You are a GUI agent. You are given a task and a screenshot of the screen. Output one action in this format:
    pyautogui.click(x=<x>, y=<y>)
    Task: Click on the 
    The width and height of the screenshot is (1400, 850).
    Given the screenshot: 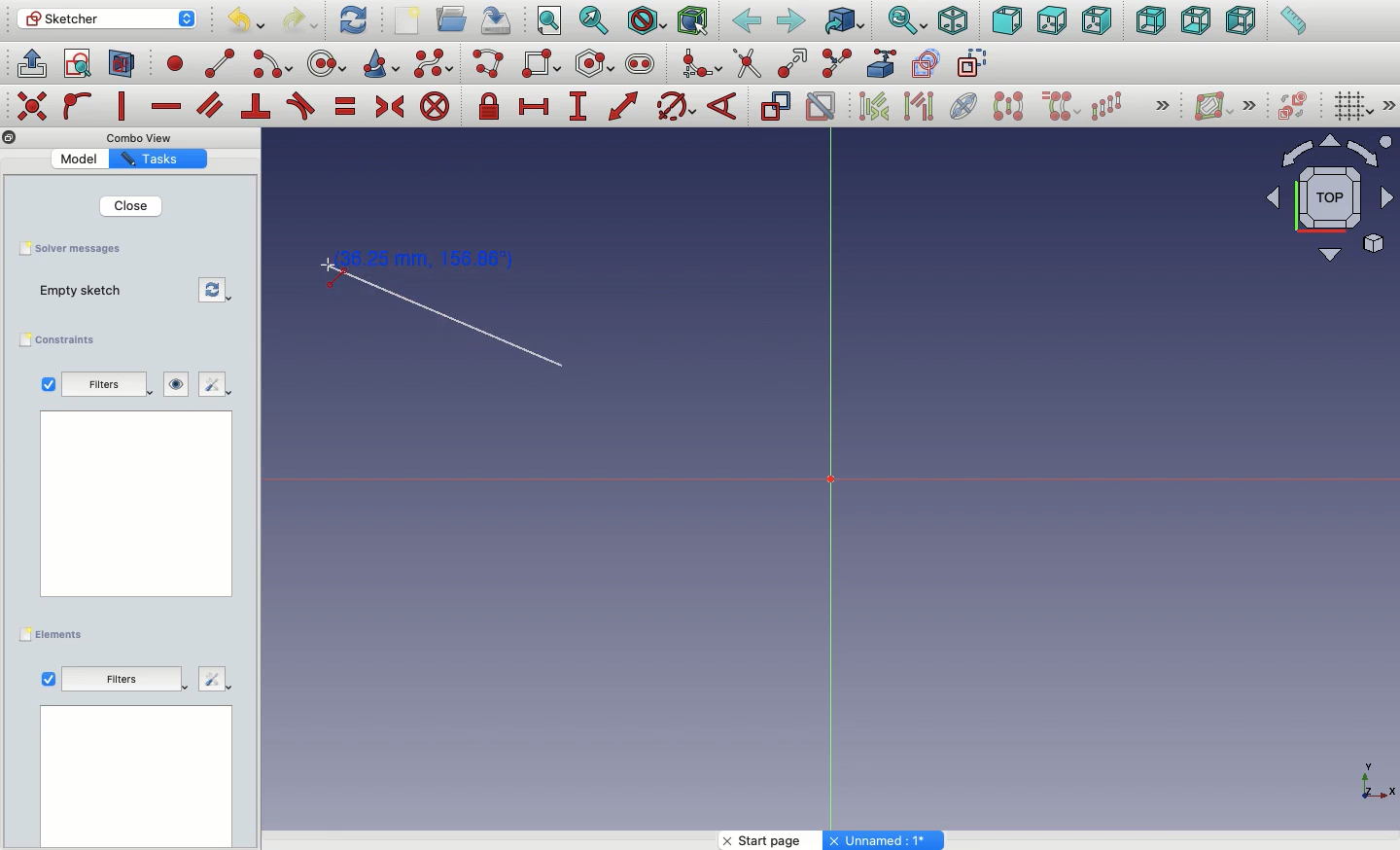 What is the action you would take?
    pyautogui.click(x=9, y=138)
    